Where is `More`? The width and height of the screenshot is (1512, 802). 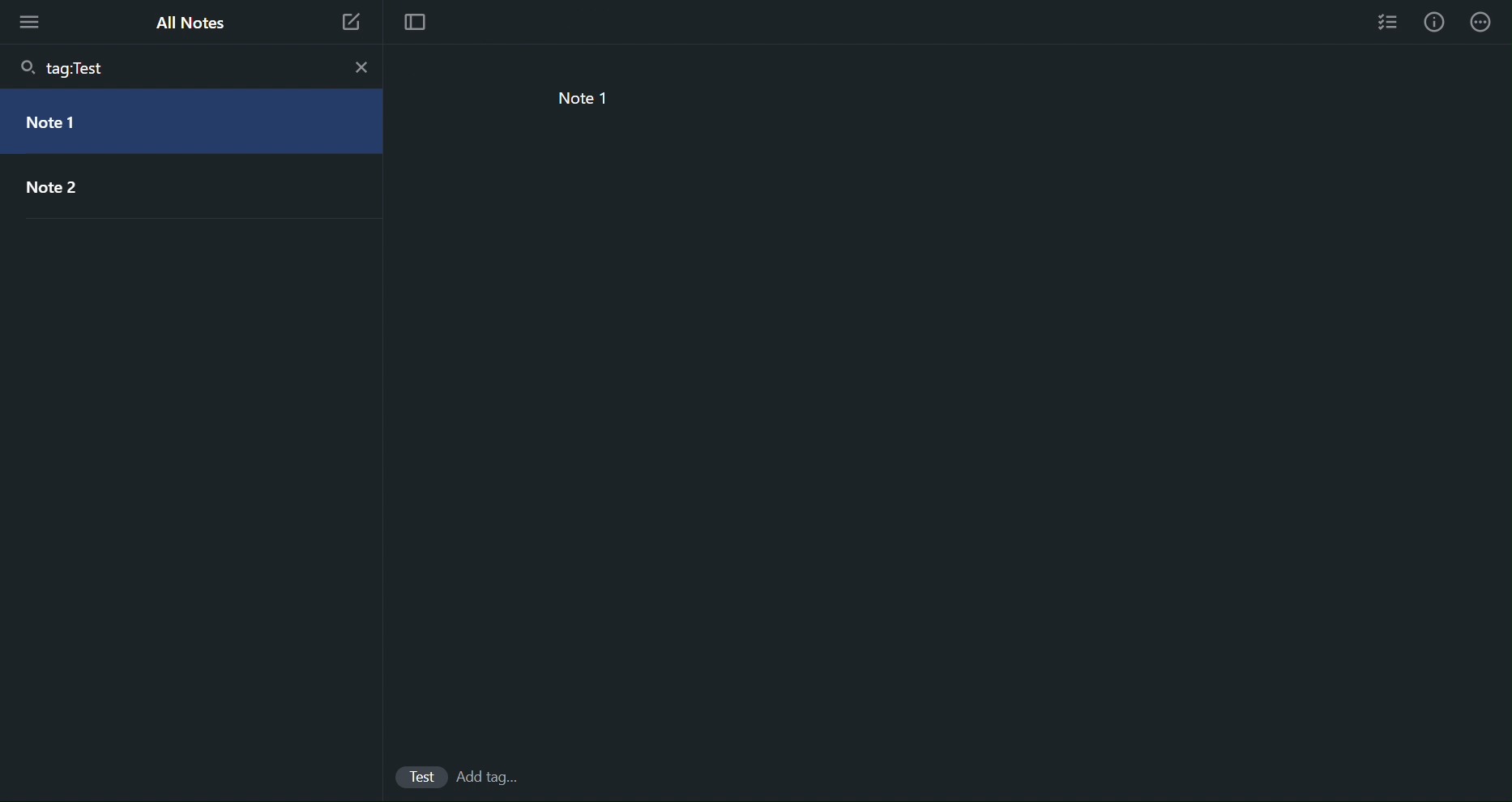
More is located at coordinates (1488, 21).